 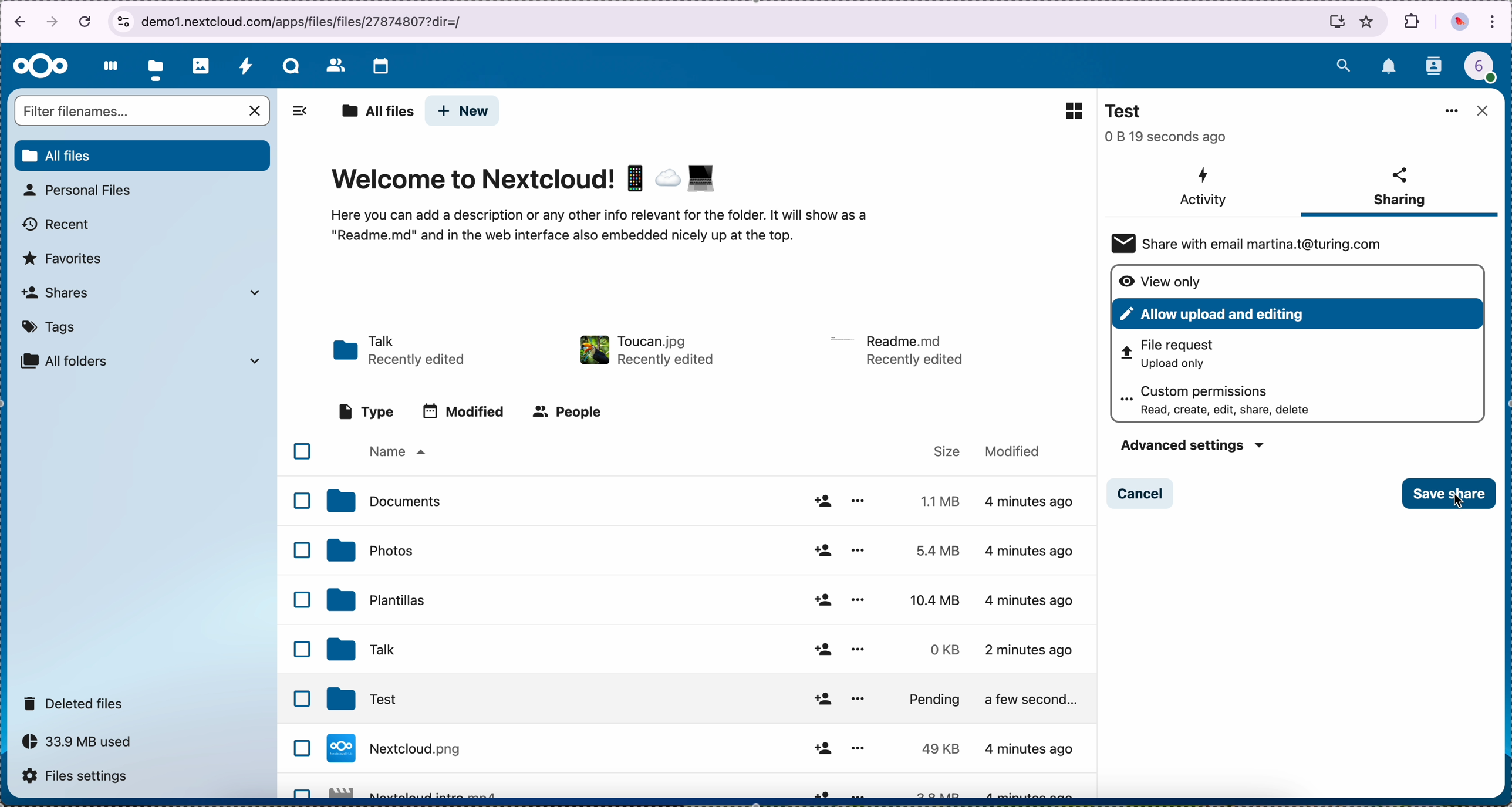 What do you see at coordinates (107, 66) in the screenshot?
I see `dashboard` at bounding box center [107, 66].